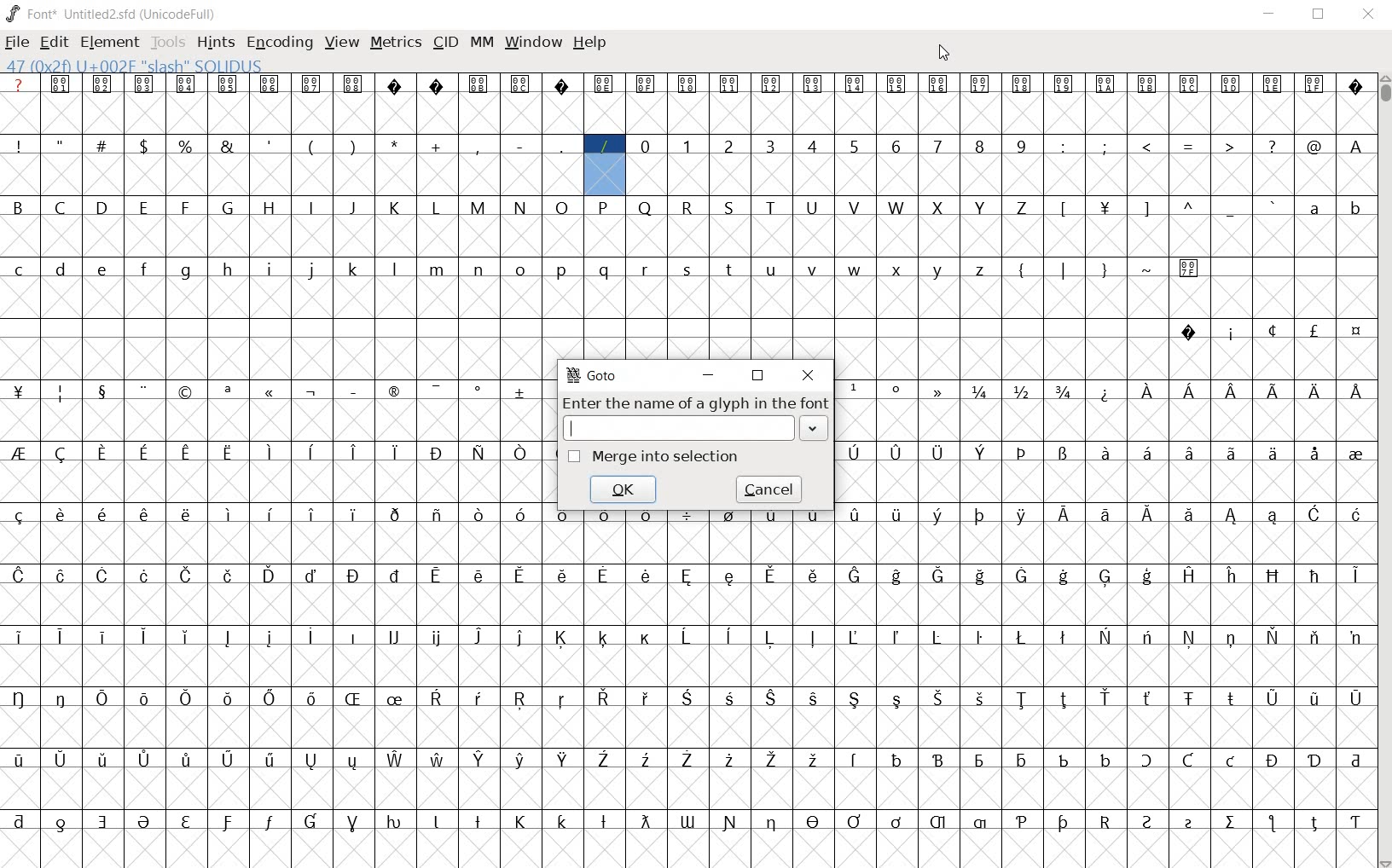  Describe the element at coordinates (1147, 452) in the screenshot. I see `glyph` at that location.